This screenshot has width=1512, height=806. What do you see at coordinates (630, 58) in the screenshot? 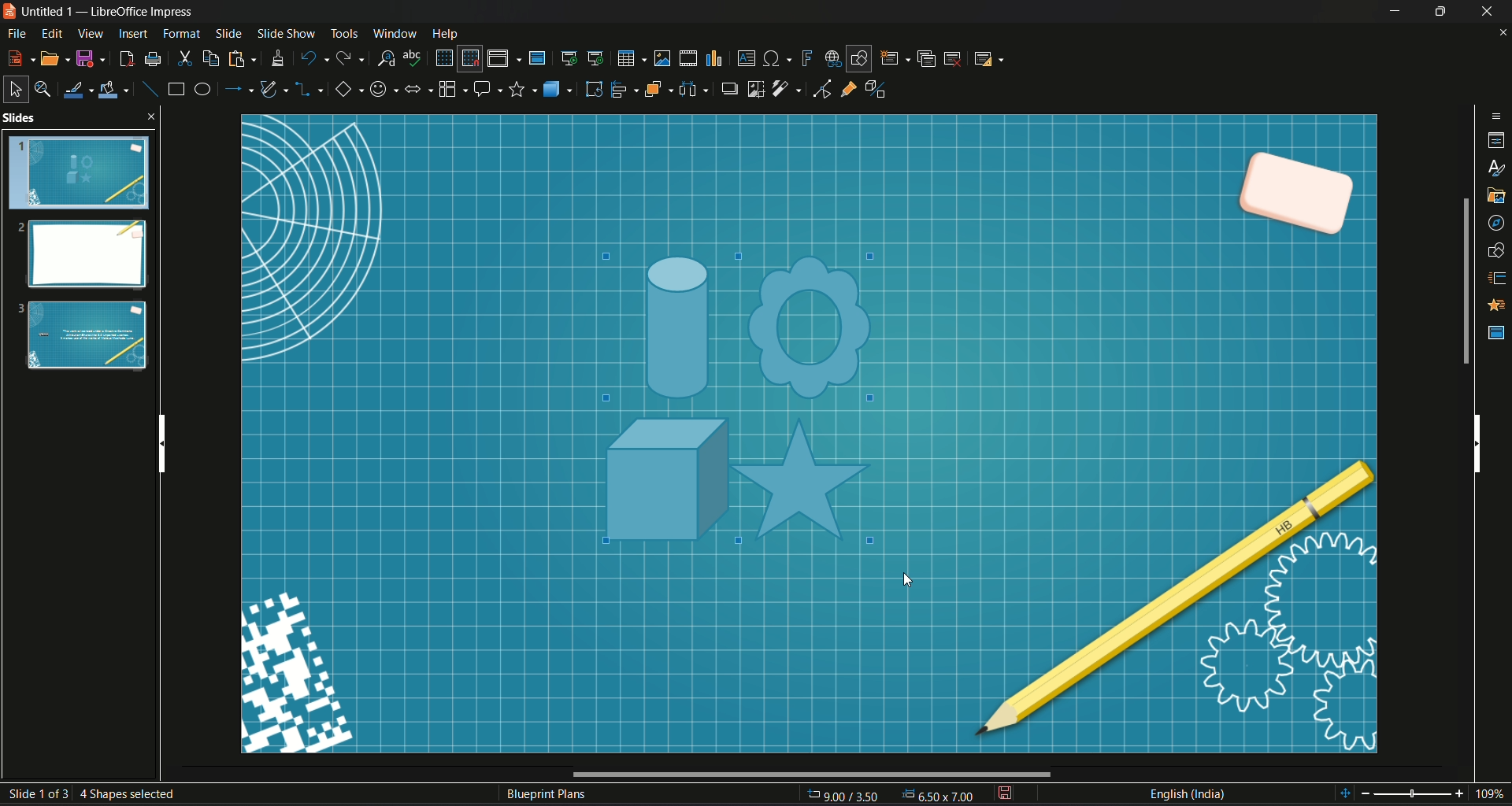
I see `table` at bounding box center [630, 58].